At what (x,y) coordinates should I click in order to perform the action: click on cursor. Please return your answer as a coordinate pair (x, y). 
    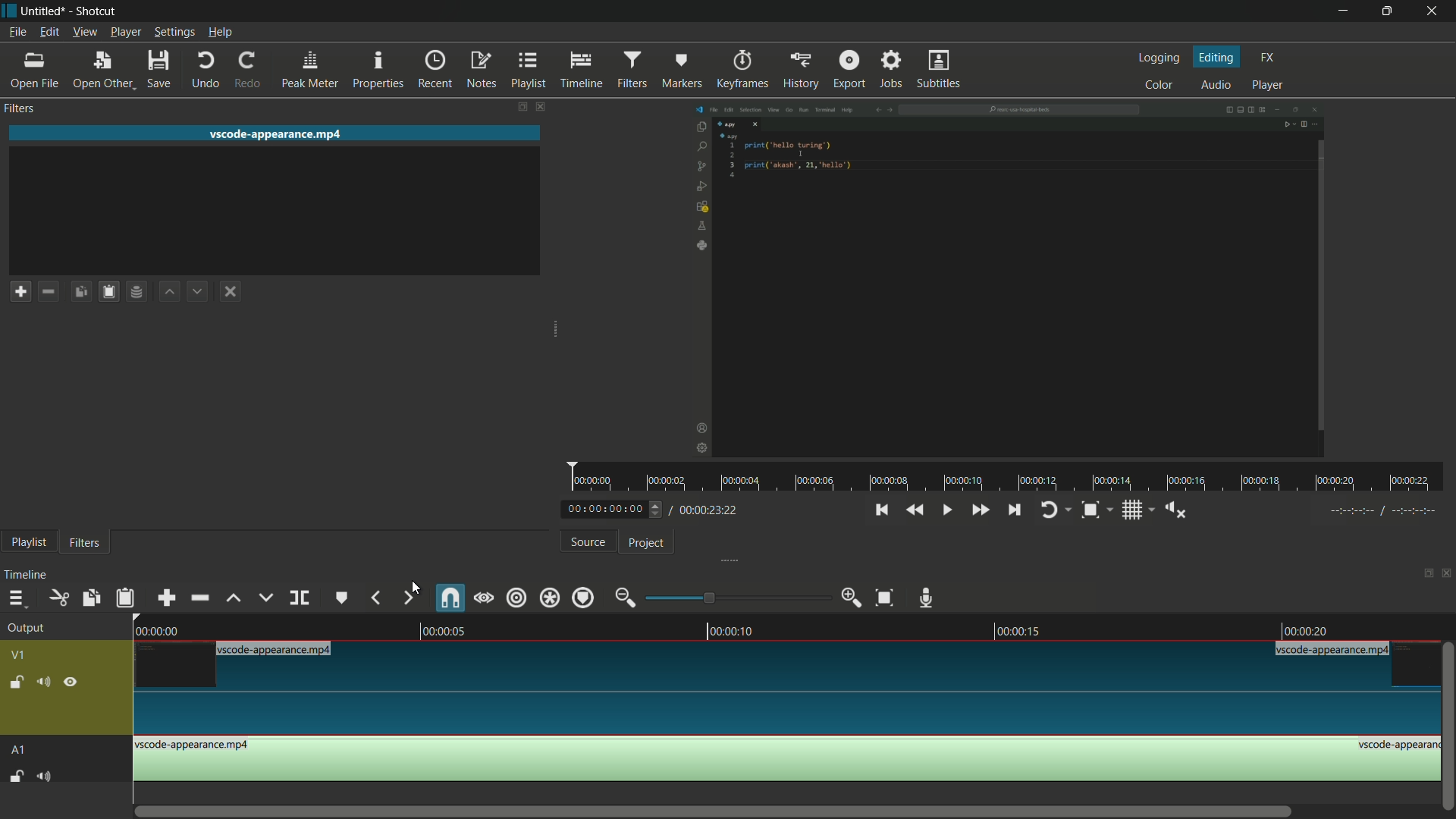
    Looking at the image, I should click on (413, 583).